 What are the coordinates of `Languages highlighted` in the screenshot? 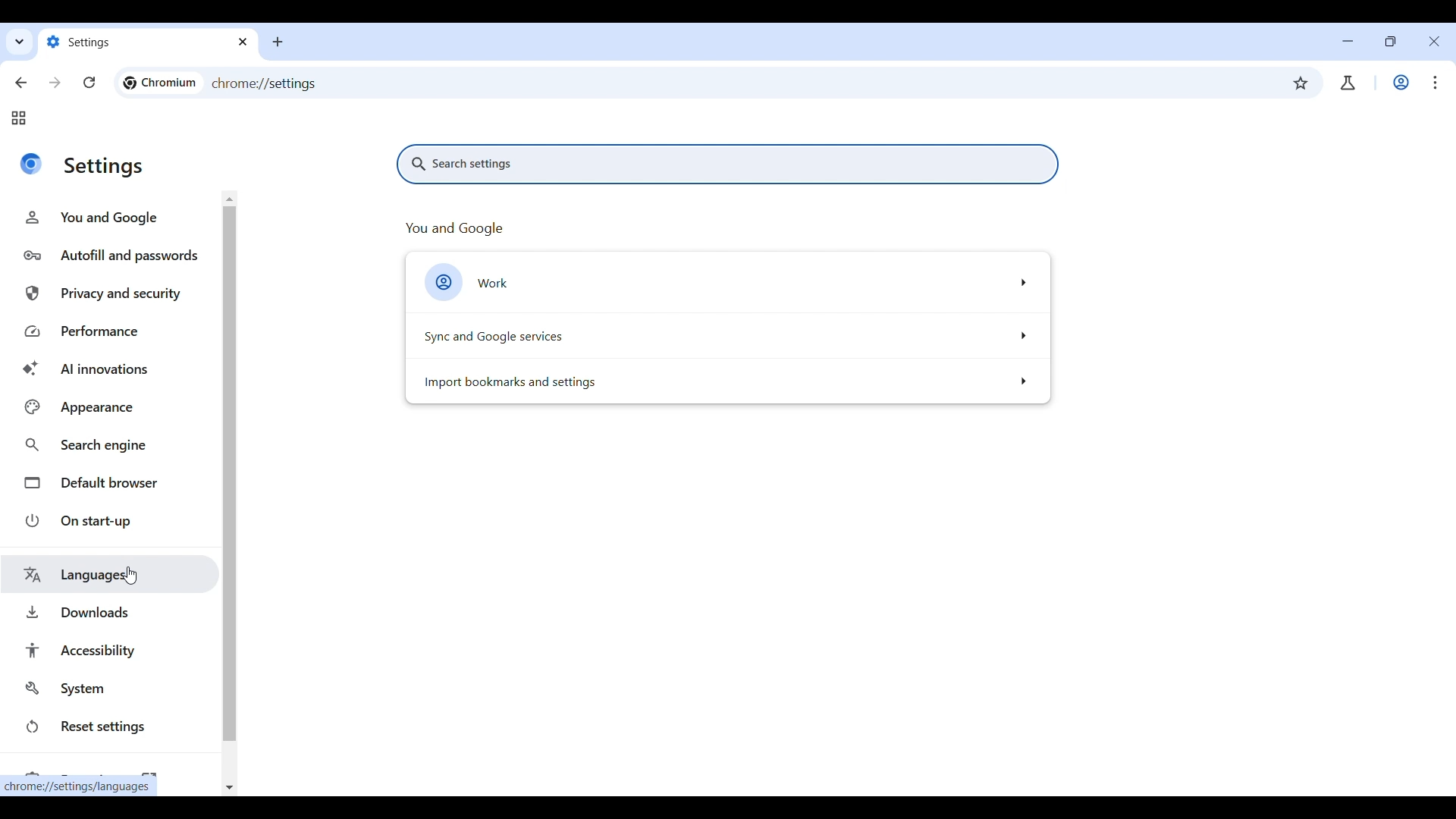 It's located at (110, 576).